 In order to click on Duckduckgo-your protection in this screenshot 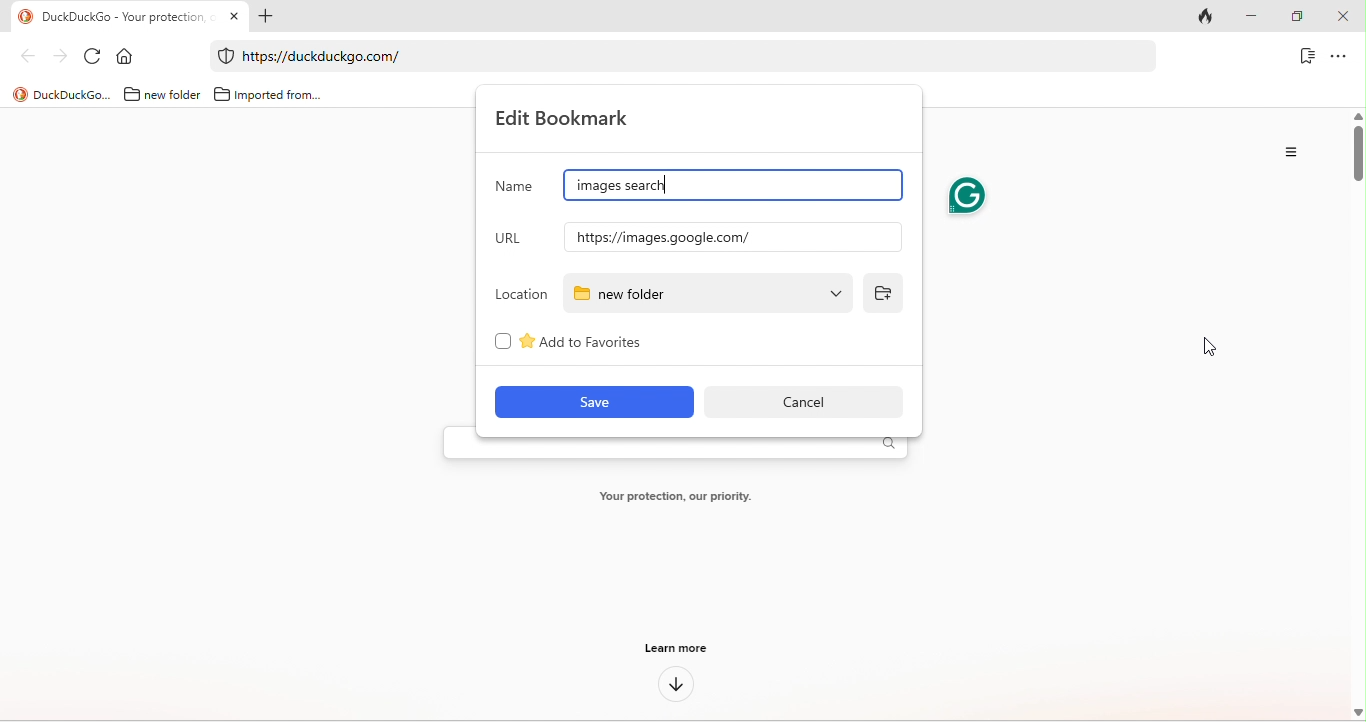, I will do `click(122, 15)`.